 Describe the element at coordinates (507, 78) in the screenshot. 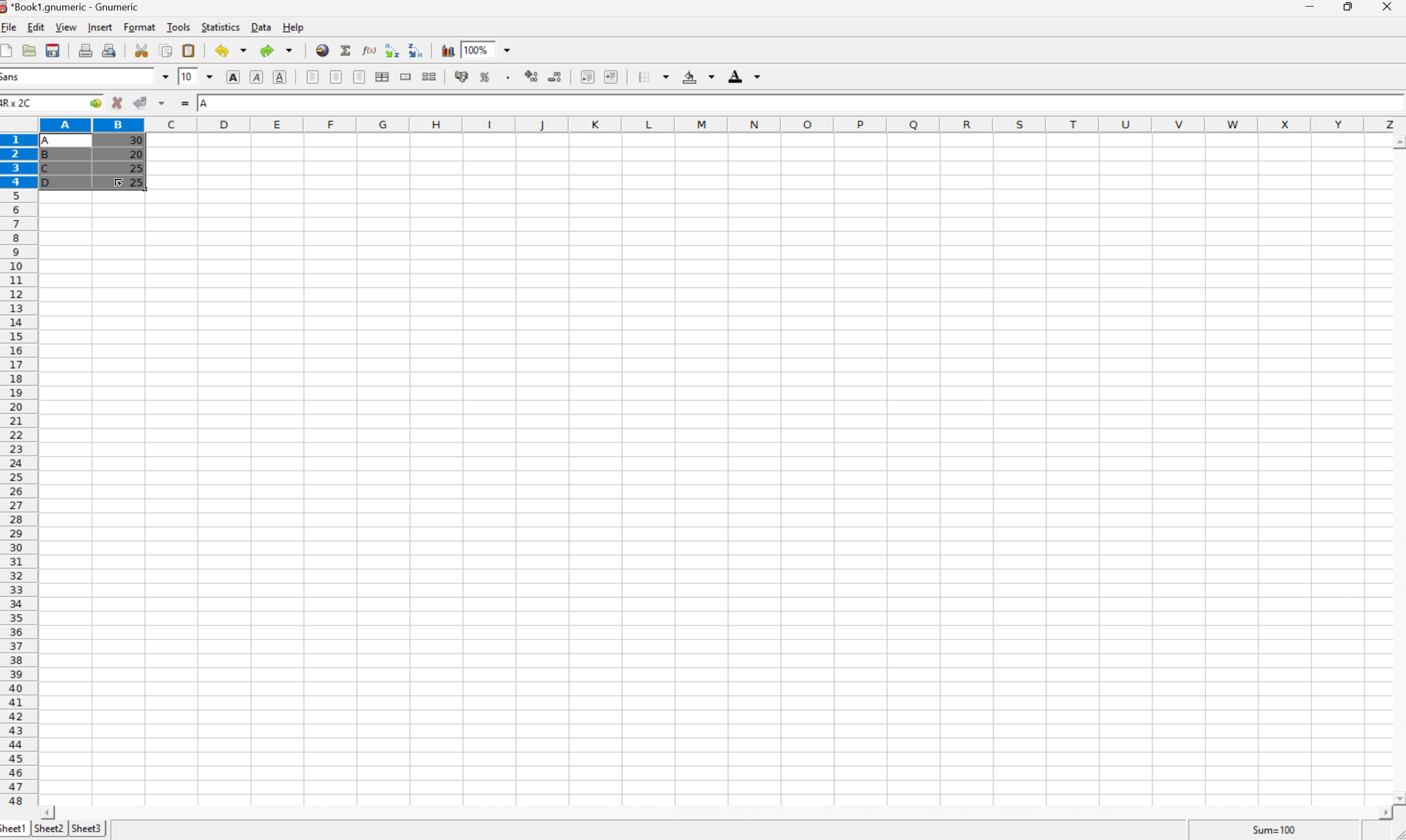

I see `Set the format of the selected cells to include a thousands separator` at that location.